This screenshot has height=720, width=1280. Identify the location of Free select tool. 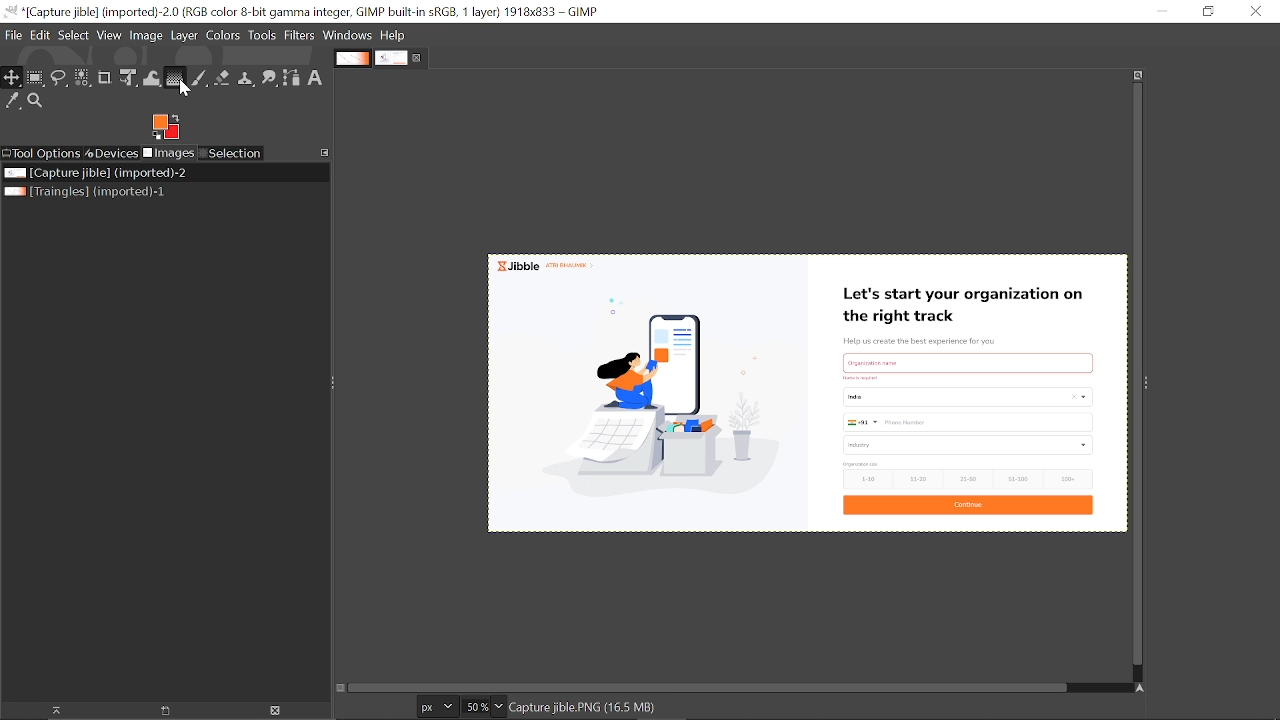
(60, 79).